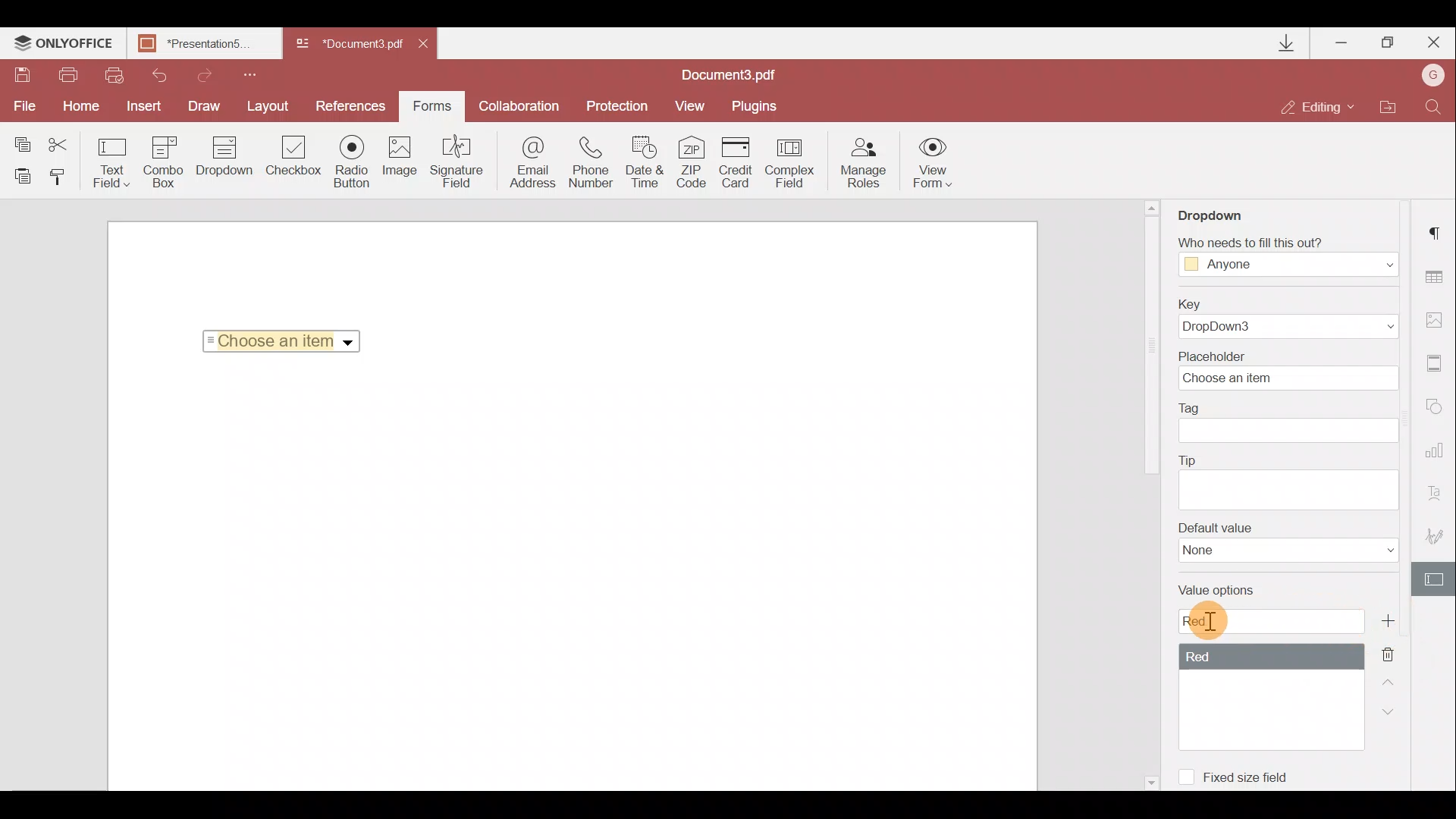 This screenshot has width=1456, height=819. Describe the element at coordinates (272, 106) in the screenshot. I see `Layout` at that location.